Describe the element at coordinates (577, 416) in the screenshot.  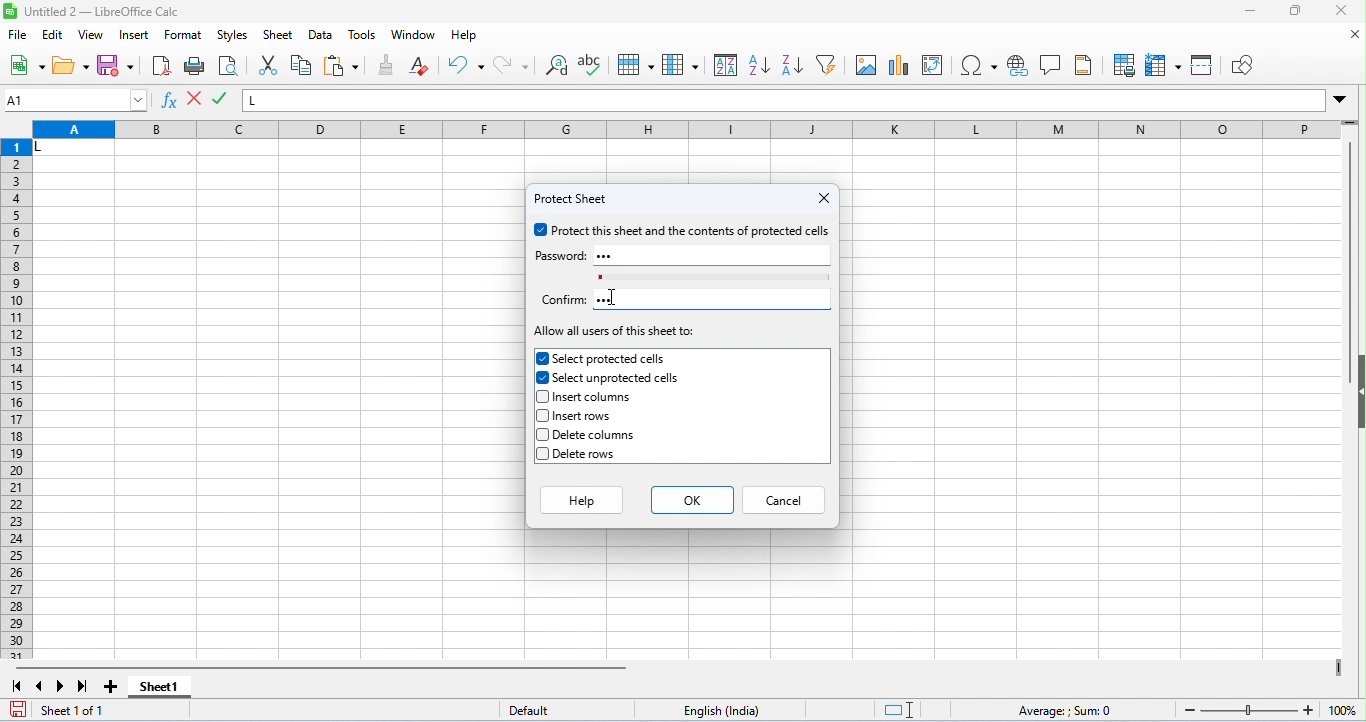
I see `insert rows` at that location.